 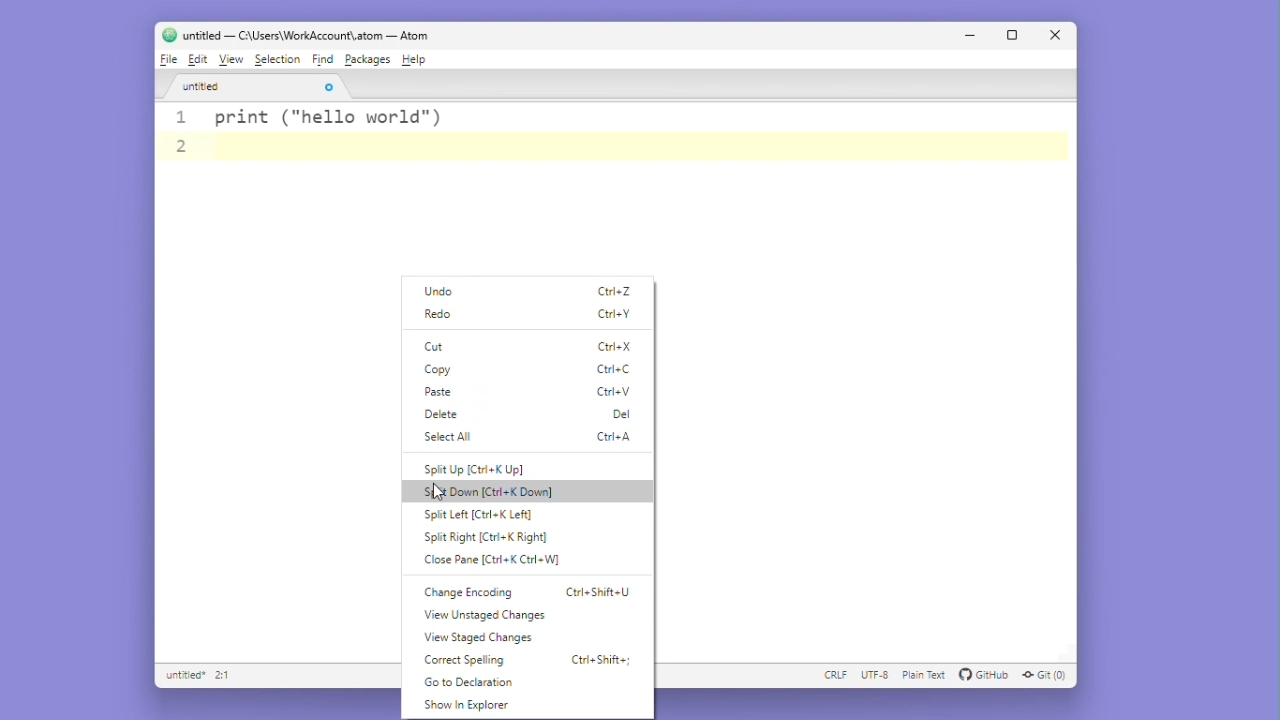 I want to click on Split right, so click(x=485, y=537).